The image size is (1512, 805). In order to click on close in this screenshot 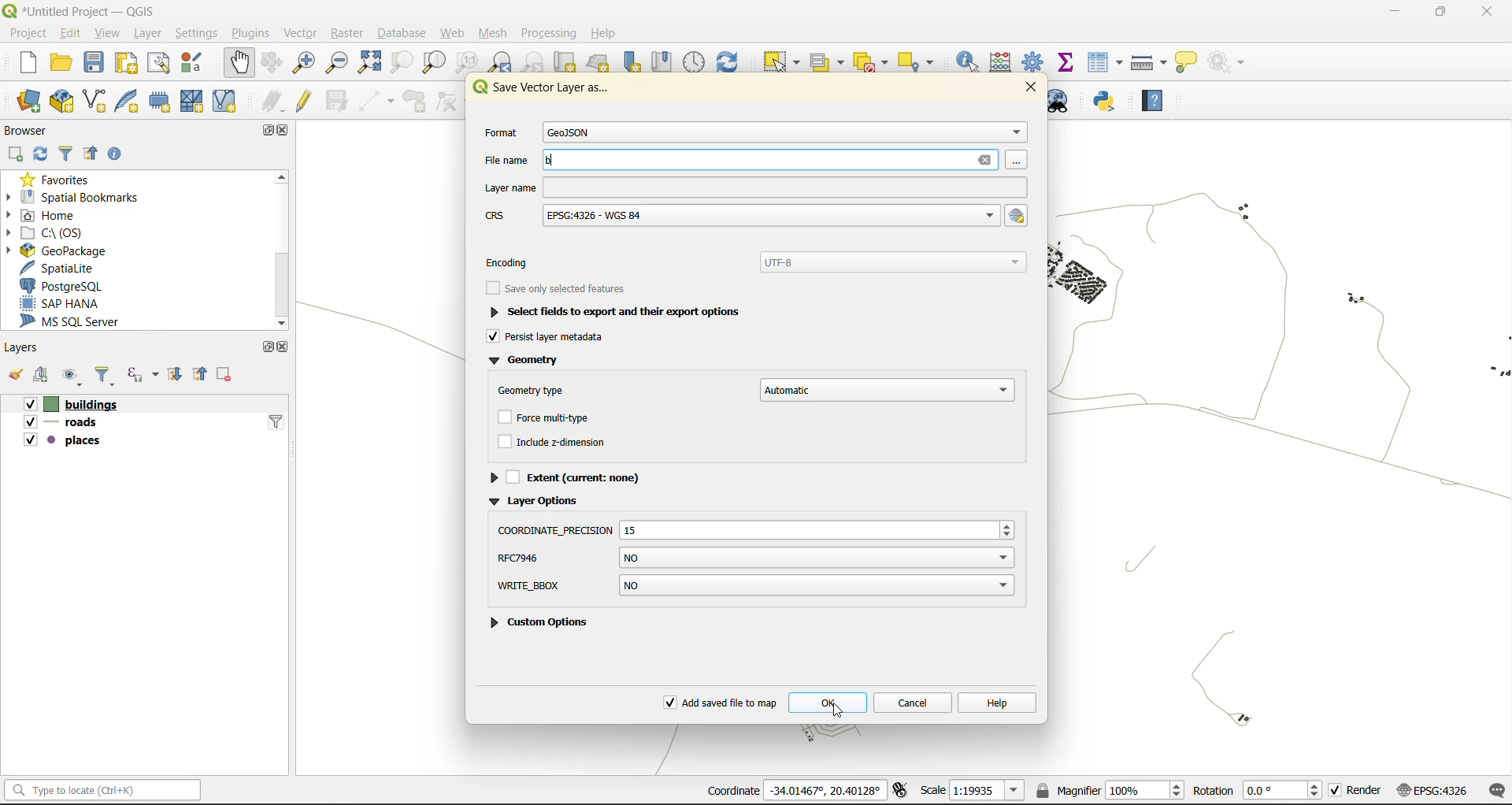, I will do `click(1487, 13)`.